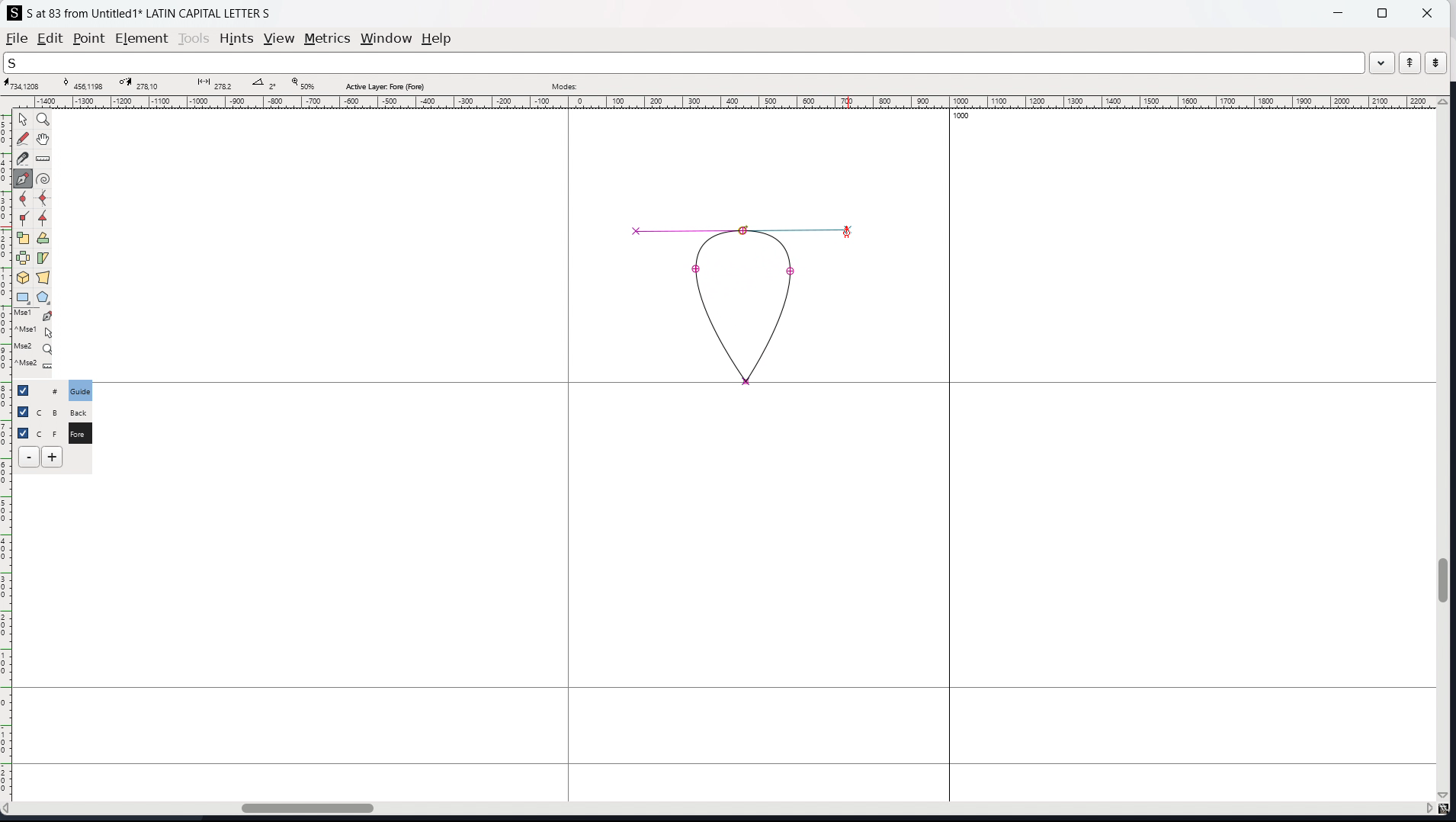 This screenshot has height=822, width=1456. I want to click on # Guide, so click(82, 390).